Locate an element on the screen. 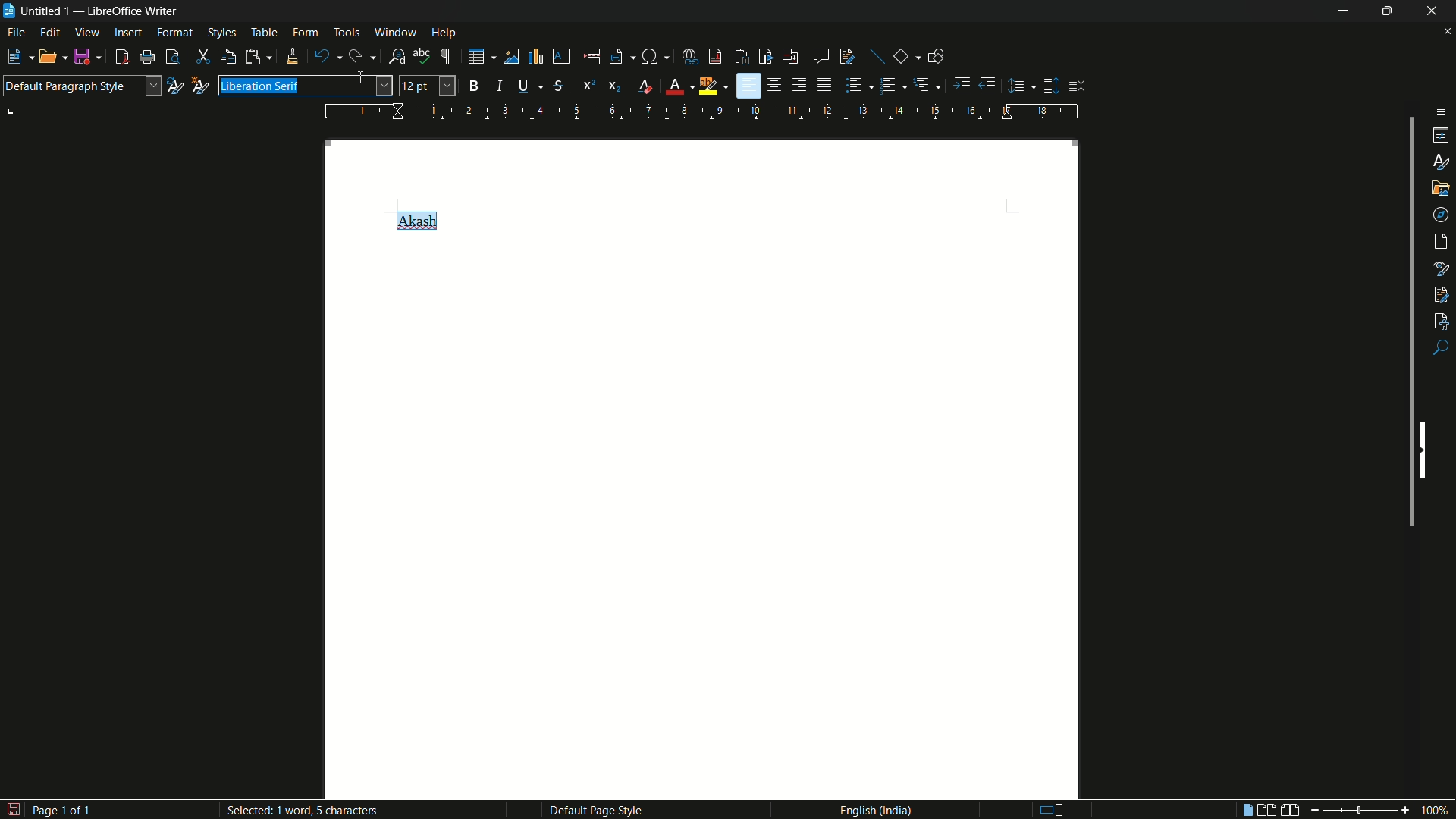  save file is located at coordinates (83, 58).